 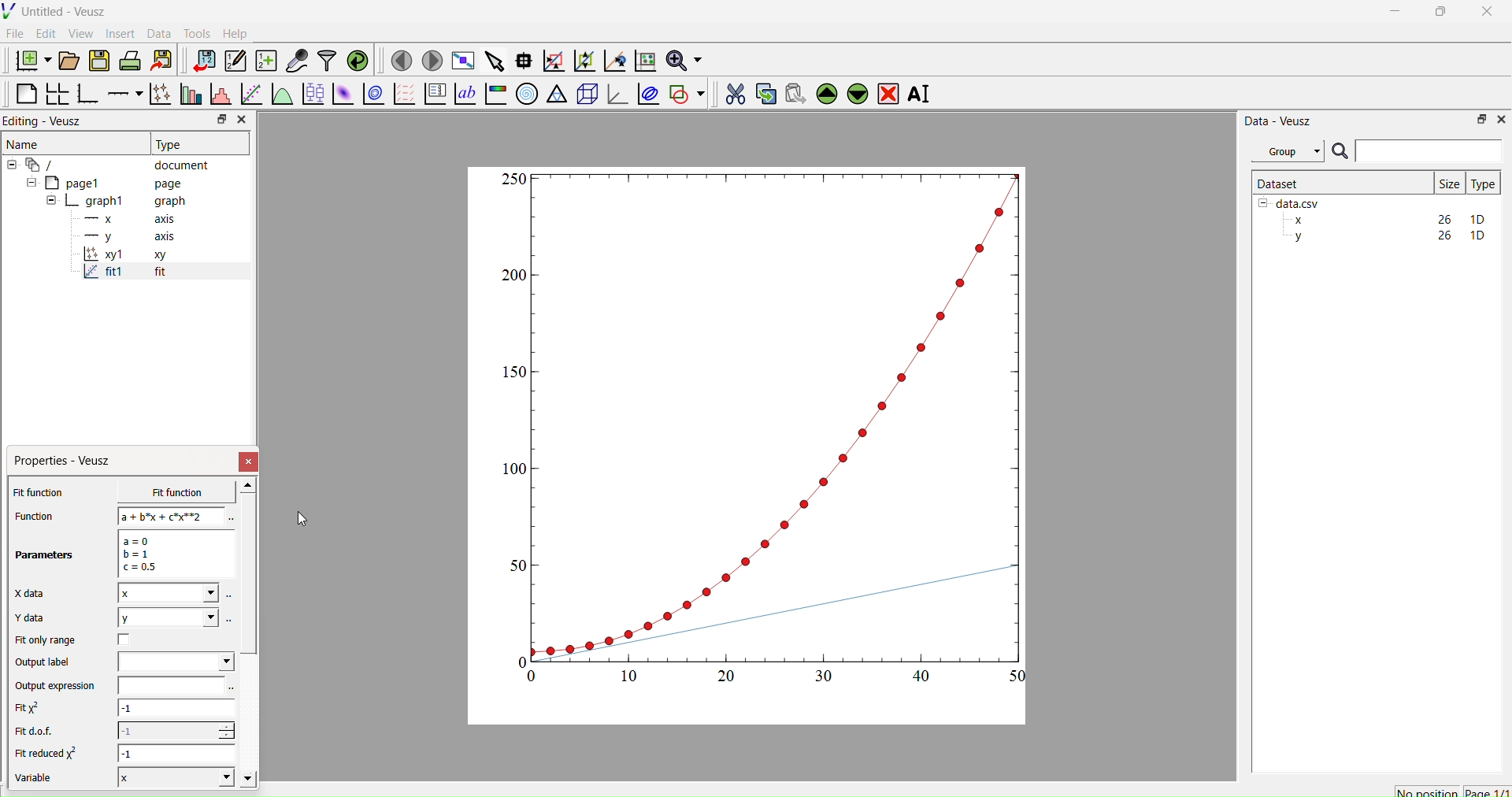 What do you see at coordinates (1340, 152) in the screenshot?
I see `Search` at bounding box center [1340, 152].